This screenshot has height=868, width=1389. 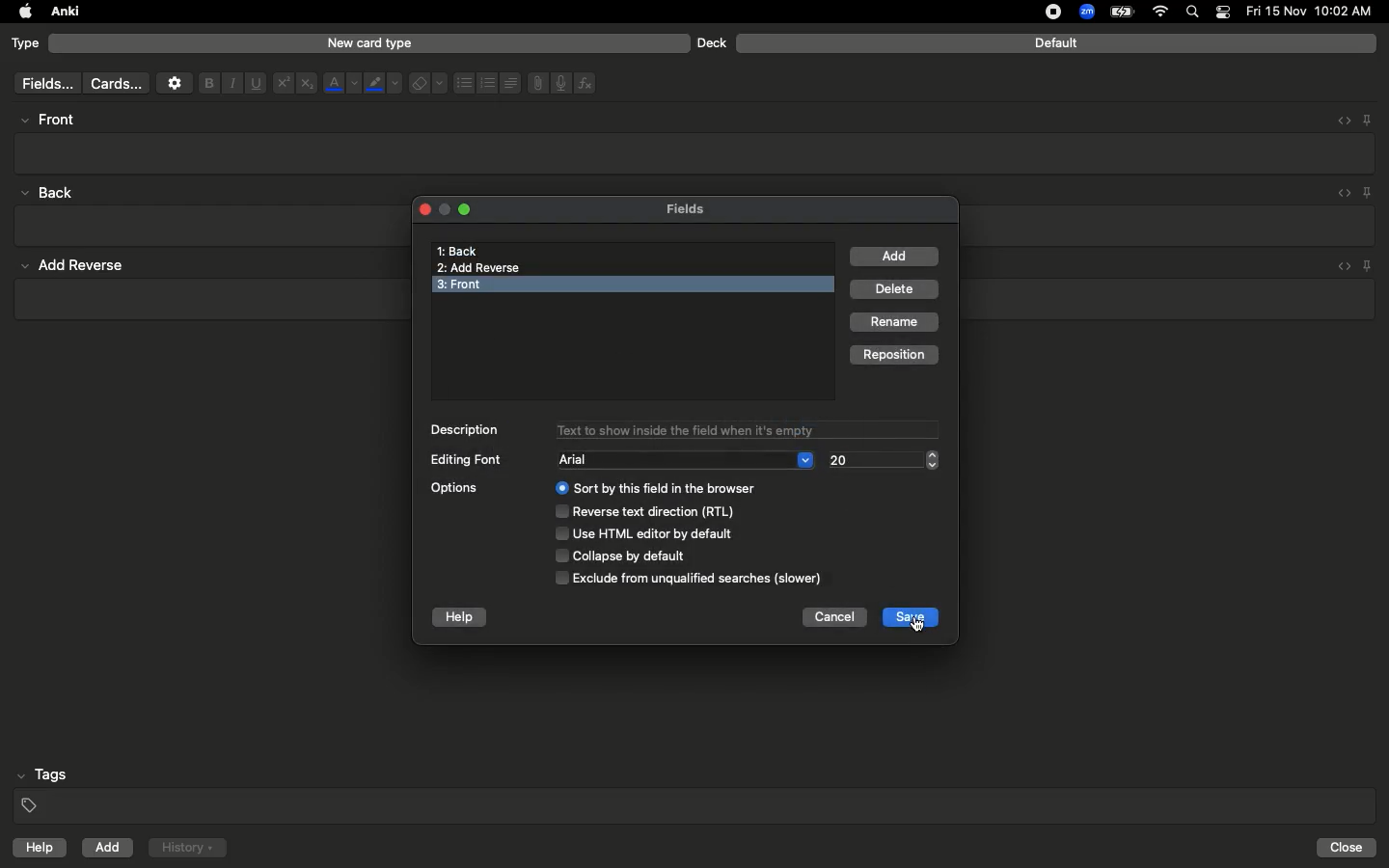 What do you see at coordinates (833, 619) in the screenshot?
I see `Cancel` at bounding box center [833, 619].